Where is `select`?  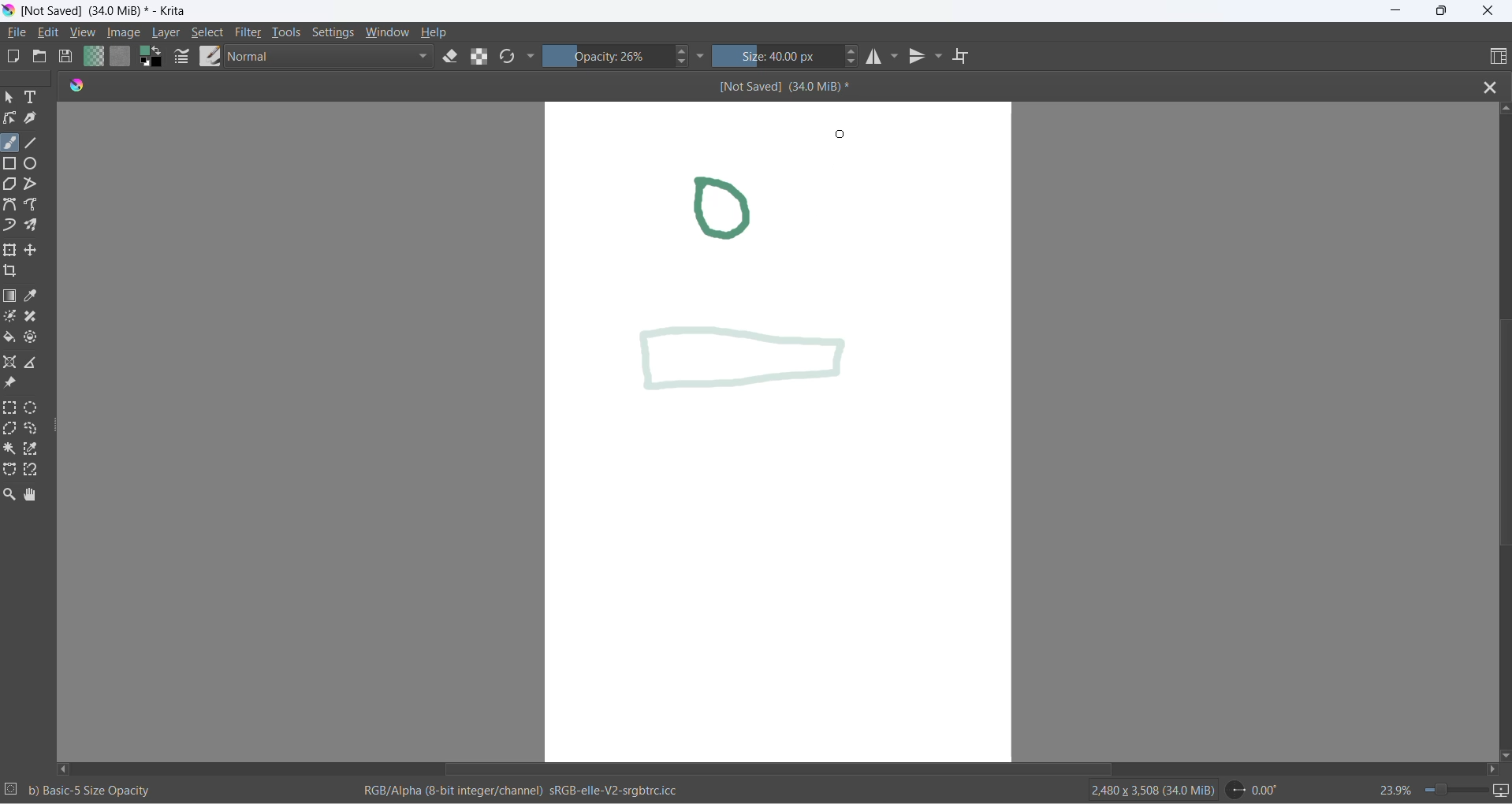 select is located at coordinates (206, 32).